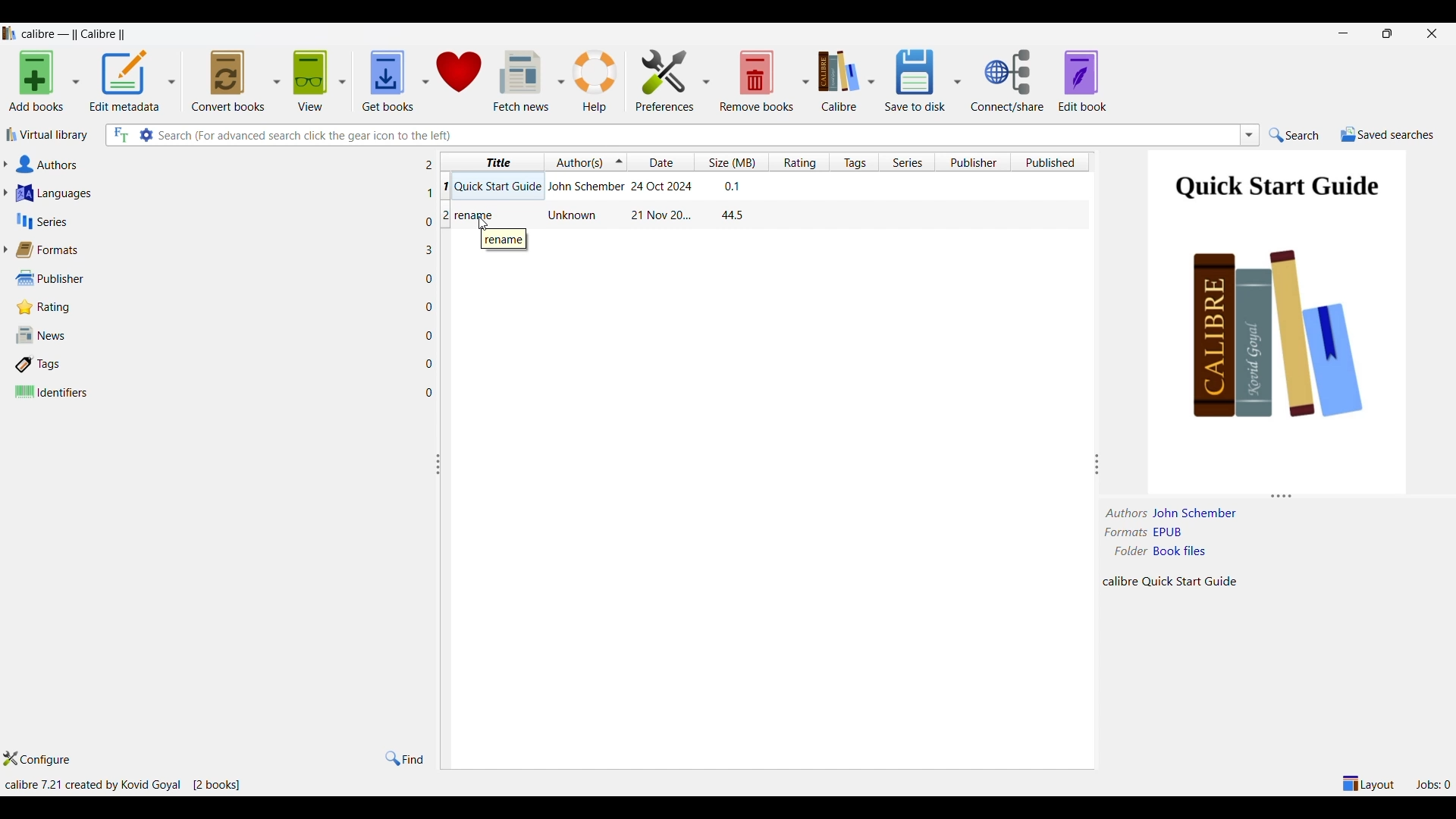 The image size is (1456, 819). I want to click on Jobs, so click(1432, 784).